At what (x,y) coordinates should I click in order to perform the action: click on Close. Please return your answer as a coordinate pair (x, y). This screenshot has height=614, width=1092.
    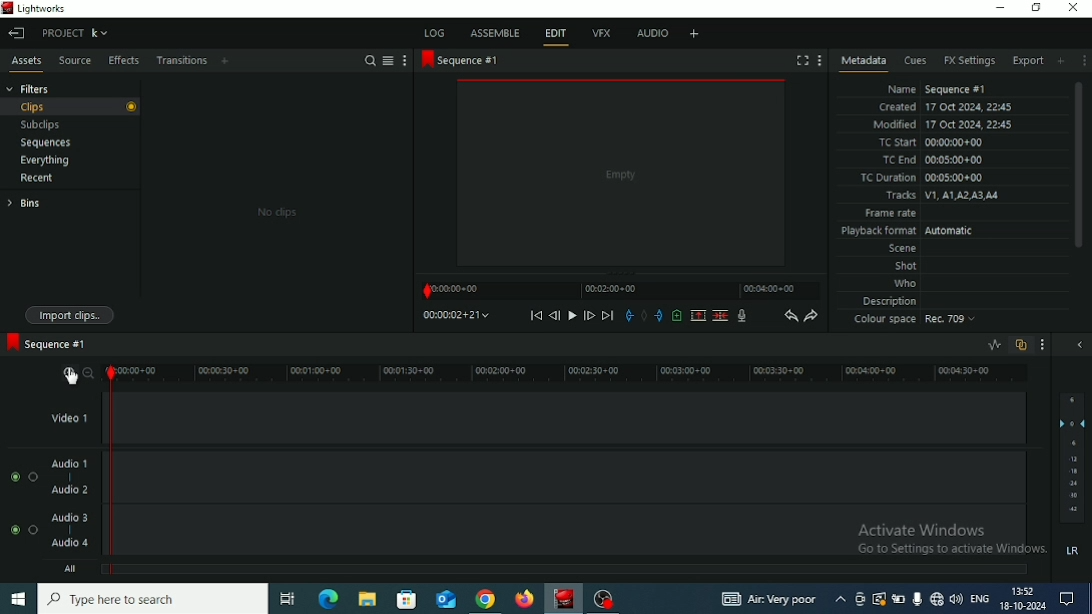
    Looking at the image, I should click on (1074, 8).